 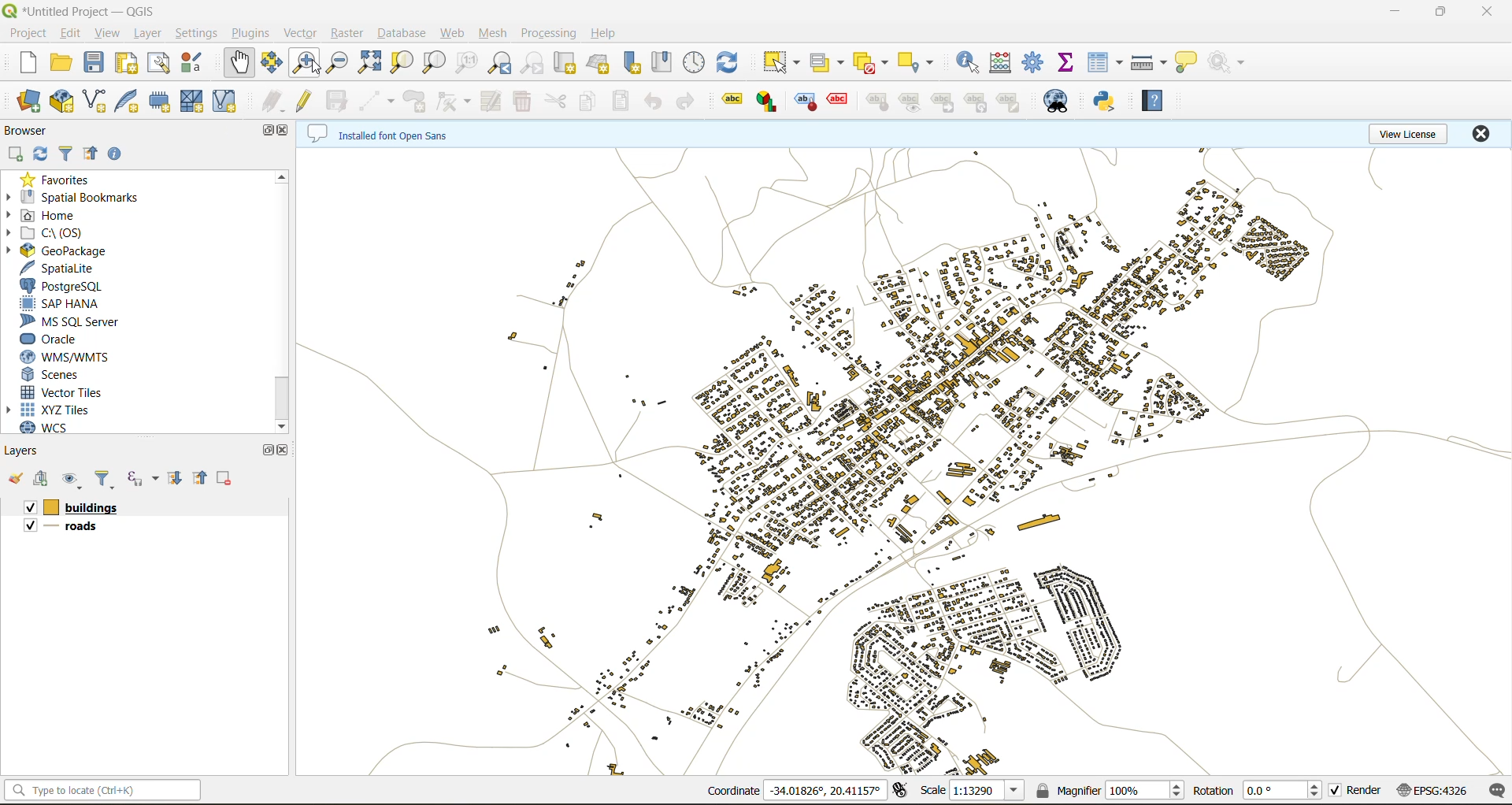 I want to click on zoom native, so click(x=465, y=63).